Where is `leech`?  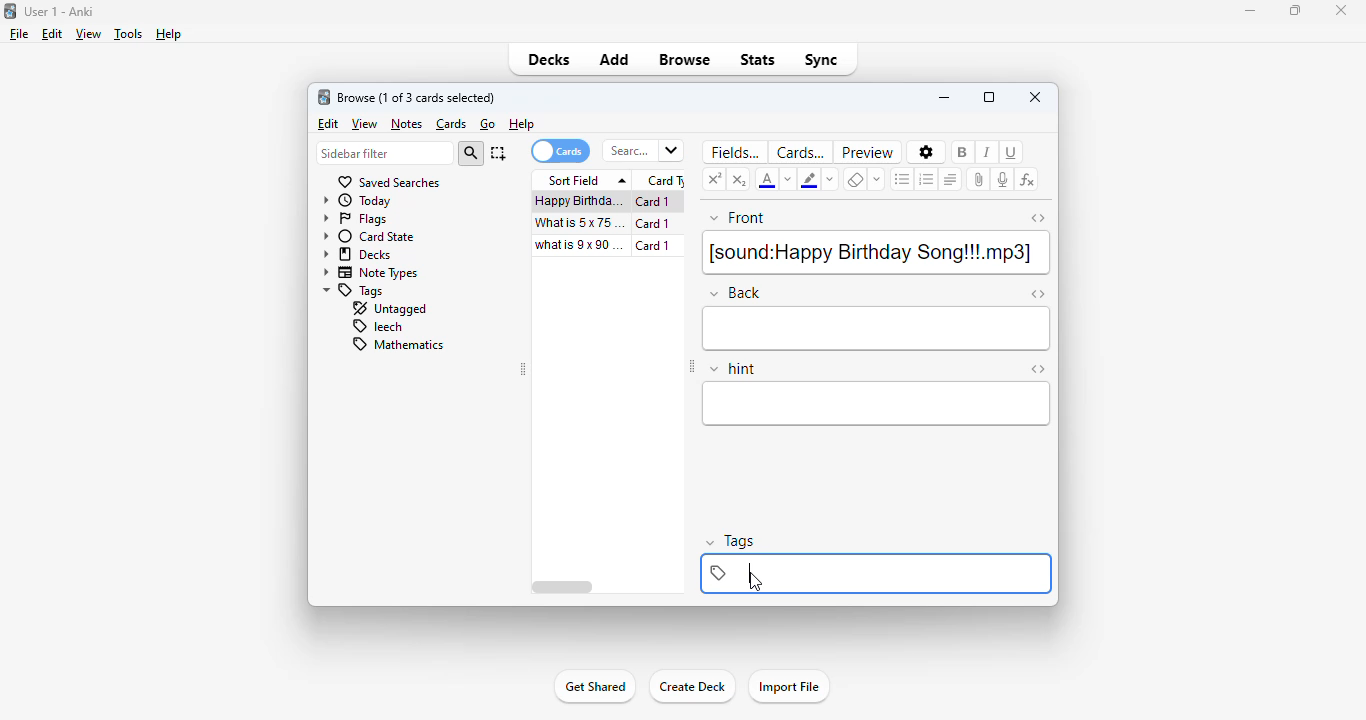 leech is located at coordinates (376, 327).